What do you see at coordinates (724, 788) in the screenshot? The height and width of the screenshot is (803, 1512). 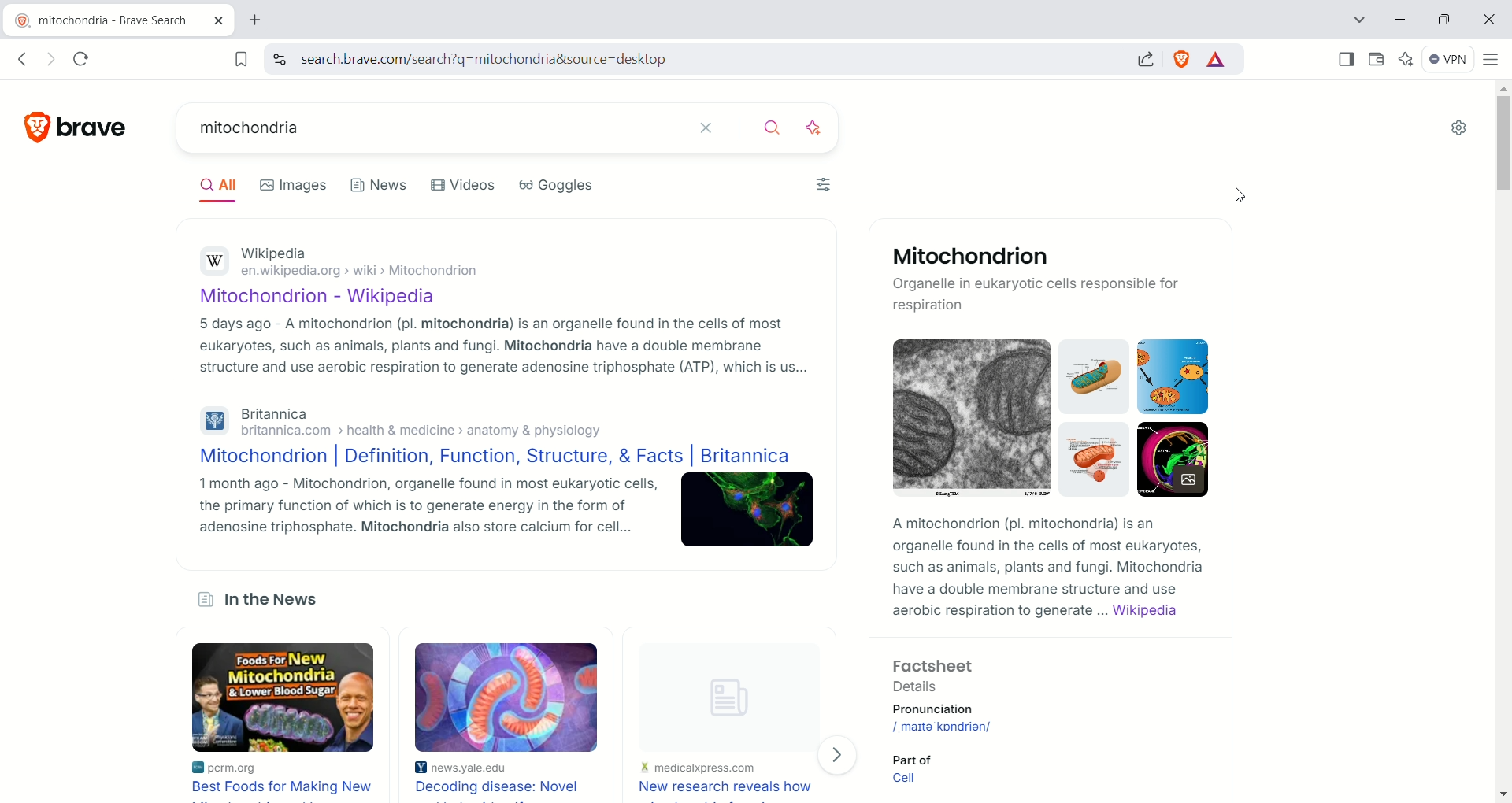 I see `New research reveals how` at bounding box center [724, 788].